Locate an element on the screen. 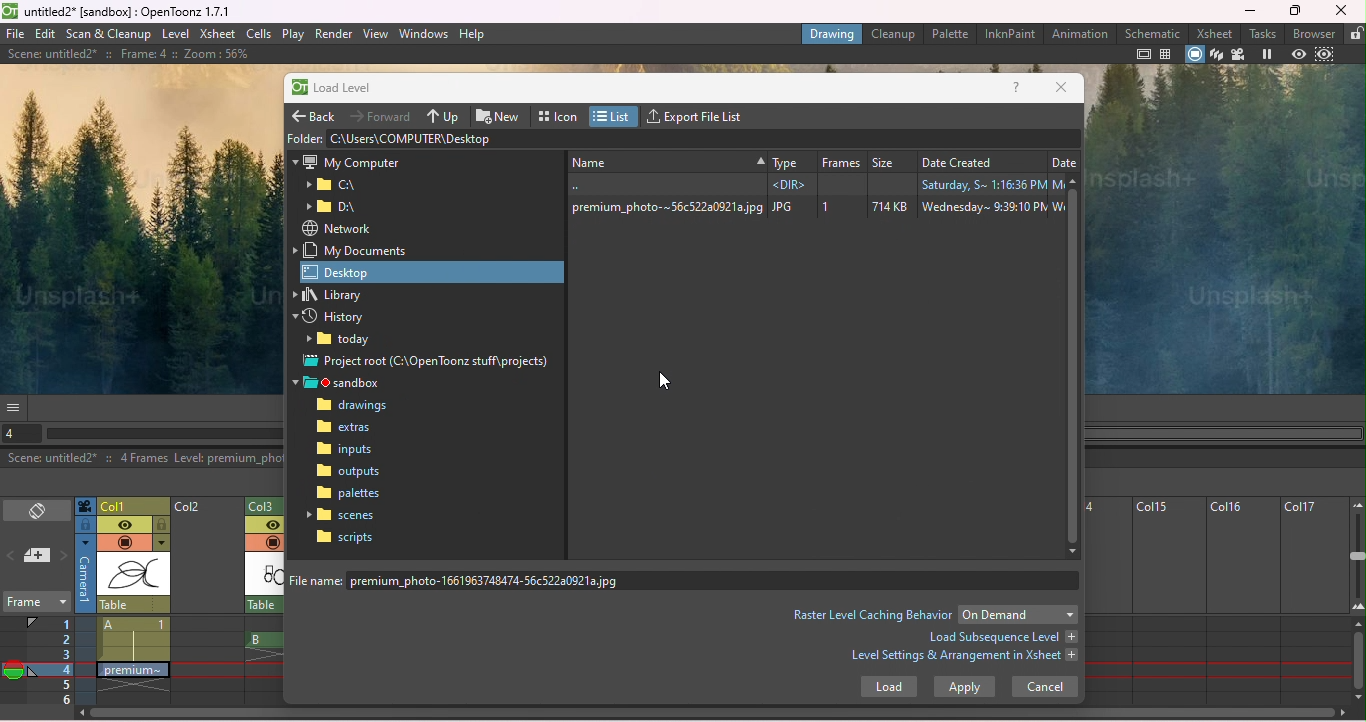  Windows is located at coordinates (424, 32).